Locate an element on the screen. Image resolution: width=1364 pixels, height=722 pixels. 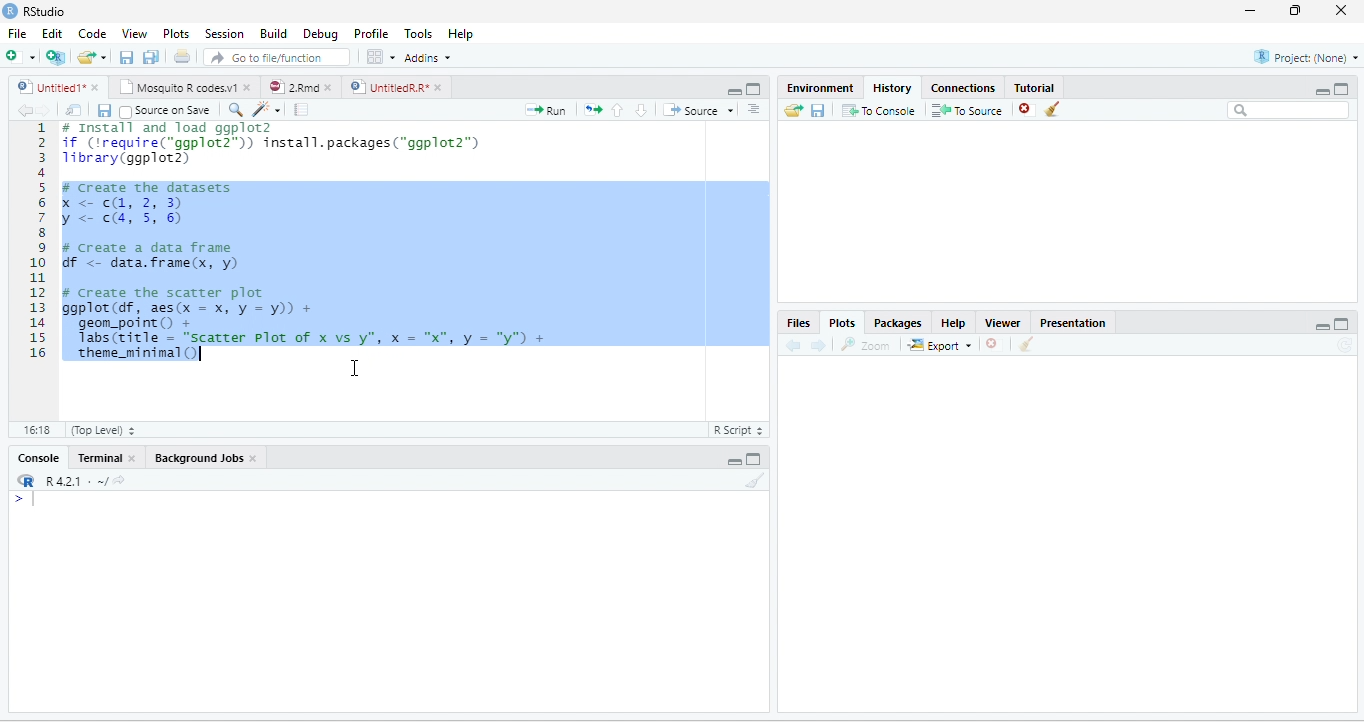
Line numbers is located at coordinates (36, 243).